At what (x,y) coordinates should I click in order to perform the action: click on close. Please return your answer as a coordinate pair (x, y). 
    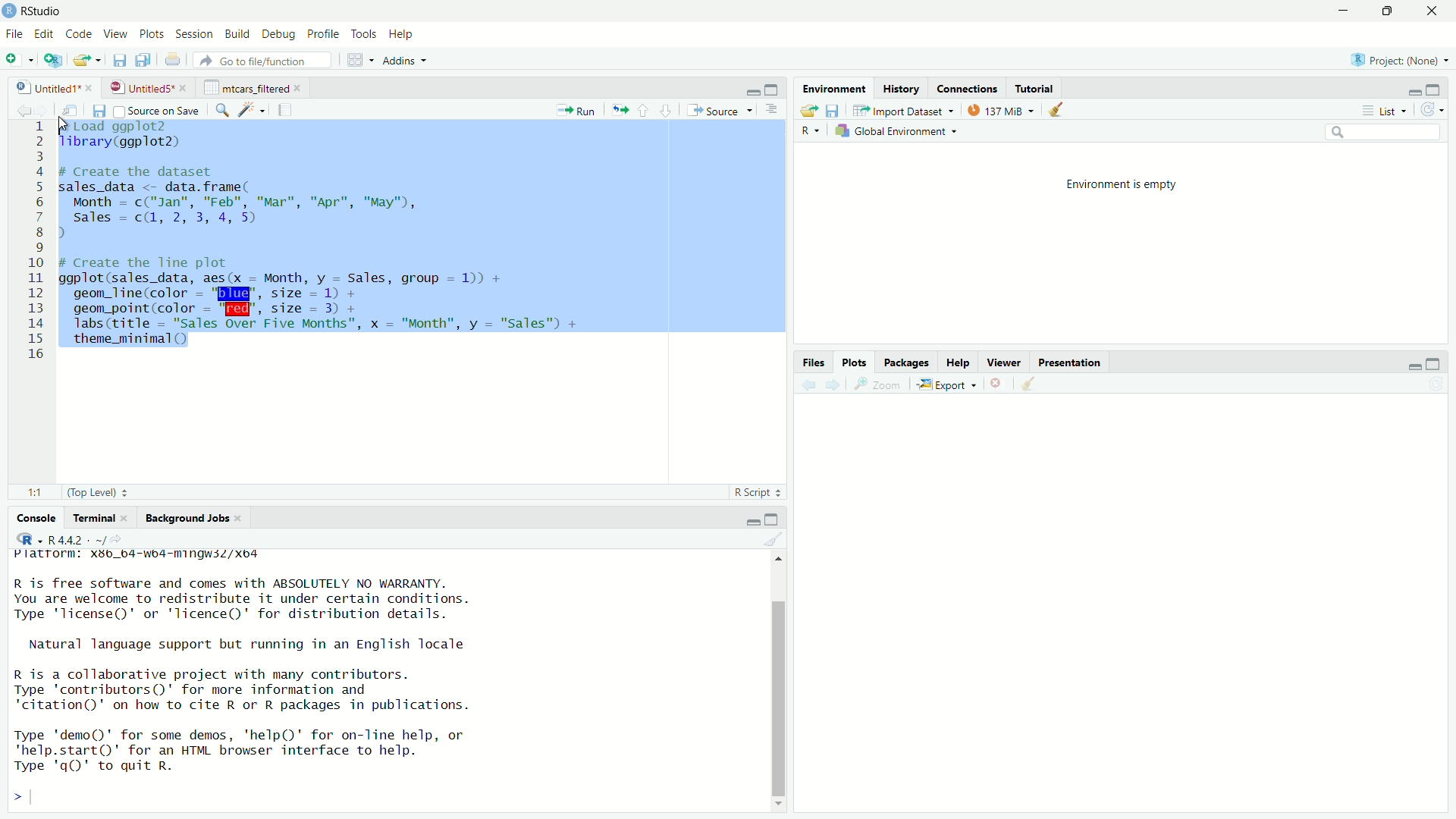
    Looking at the image, I should click on (301, 88).